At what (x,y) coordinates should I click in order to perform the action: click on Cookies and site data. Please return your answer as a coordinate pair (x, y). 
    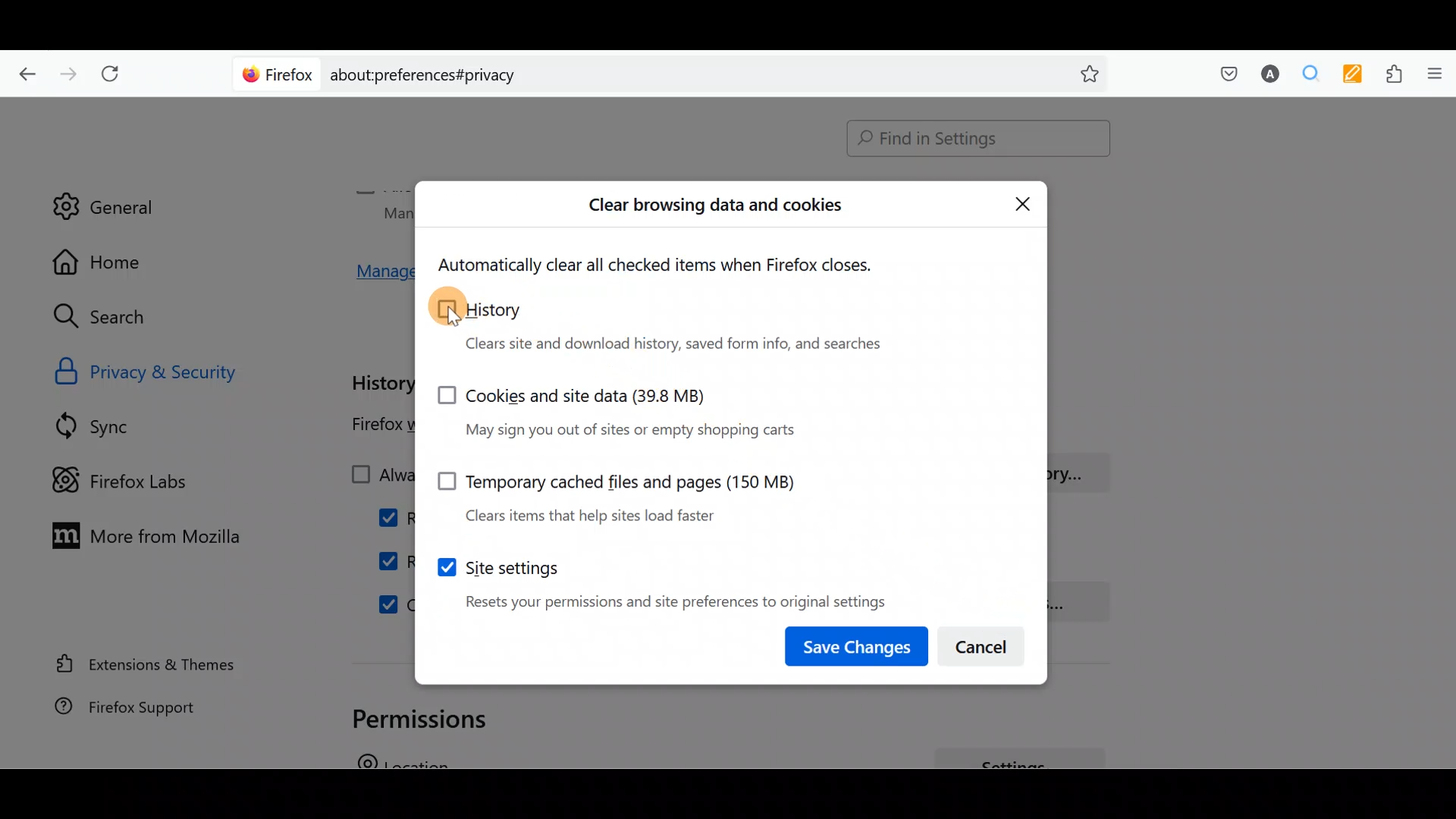
    Looking at the image, I should click on (634, 409).